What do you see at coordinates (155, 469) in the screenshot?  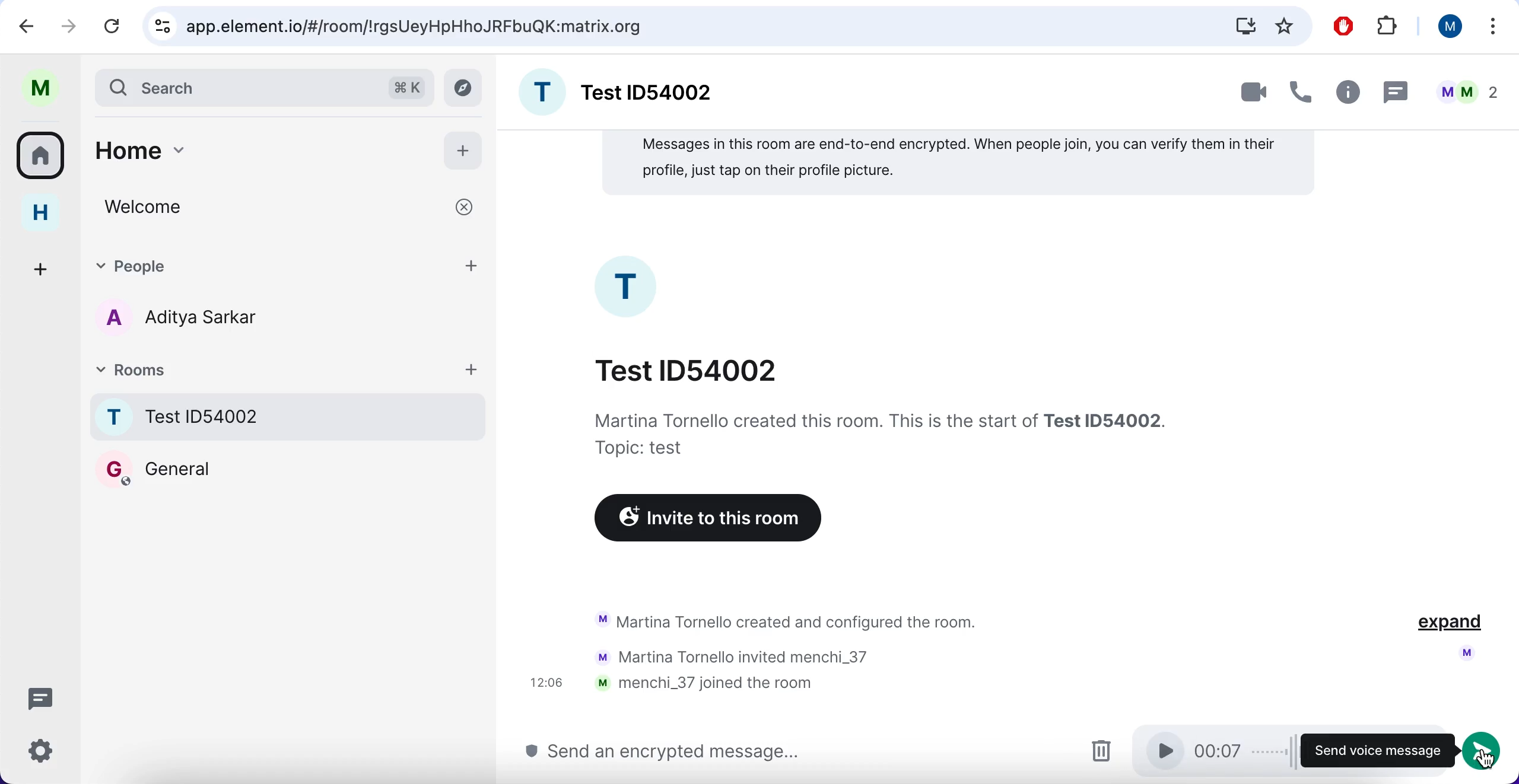 I see `general` at bounding box center [155, 469].